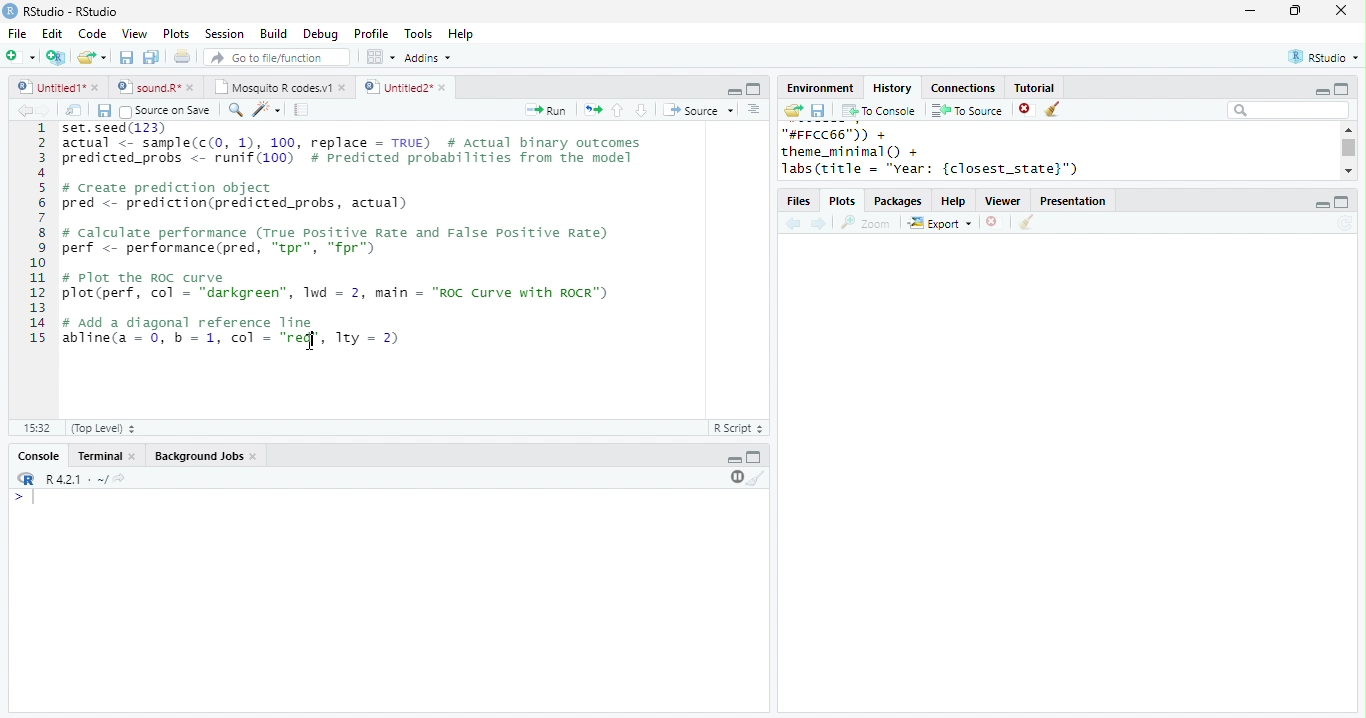 The width and height of the screenshot is (1366, 718). Describe the element at coordinates (92, 57) in the screenshot. I see `open file` at that location.